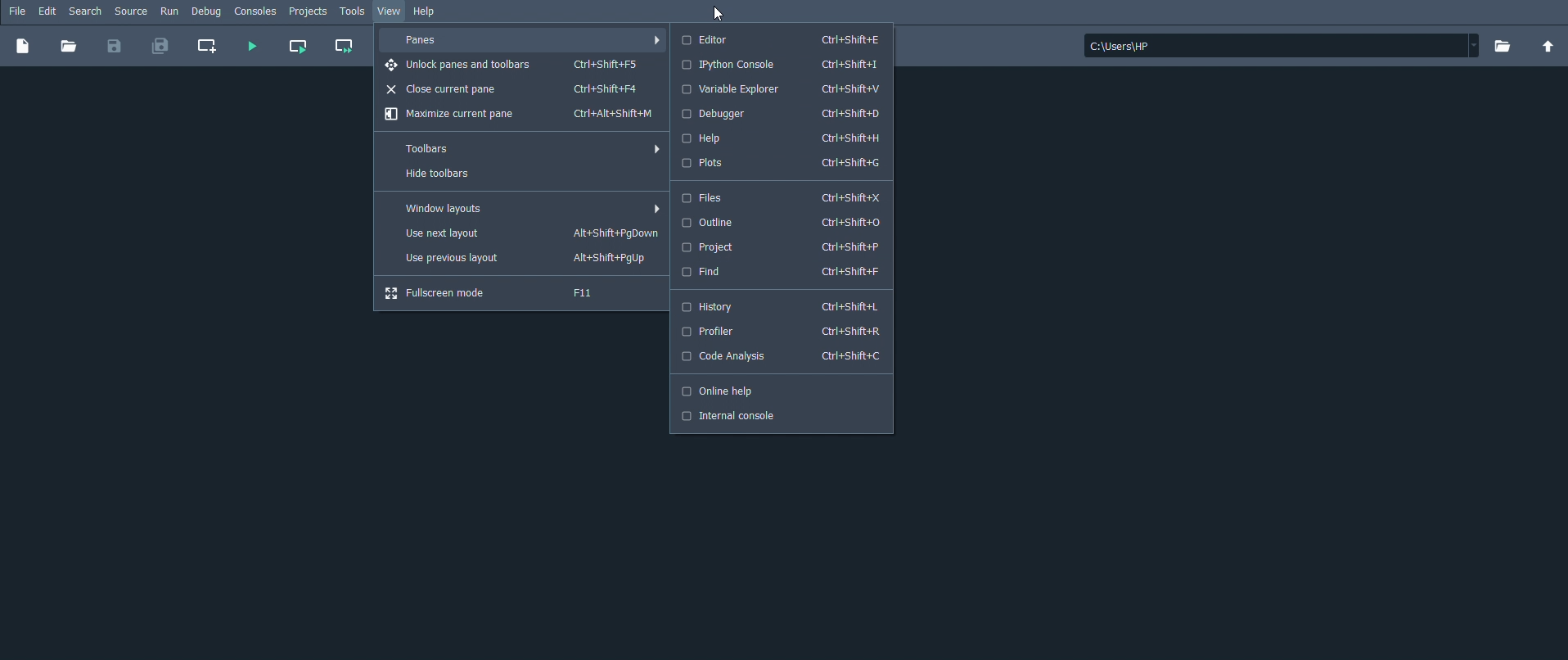  What do you see at coordinates (786, 88) in the screenshot?
I see `Variable Explorer` at bounding box center [786, 88].